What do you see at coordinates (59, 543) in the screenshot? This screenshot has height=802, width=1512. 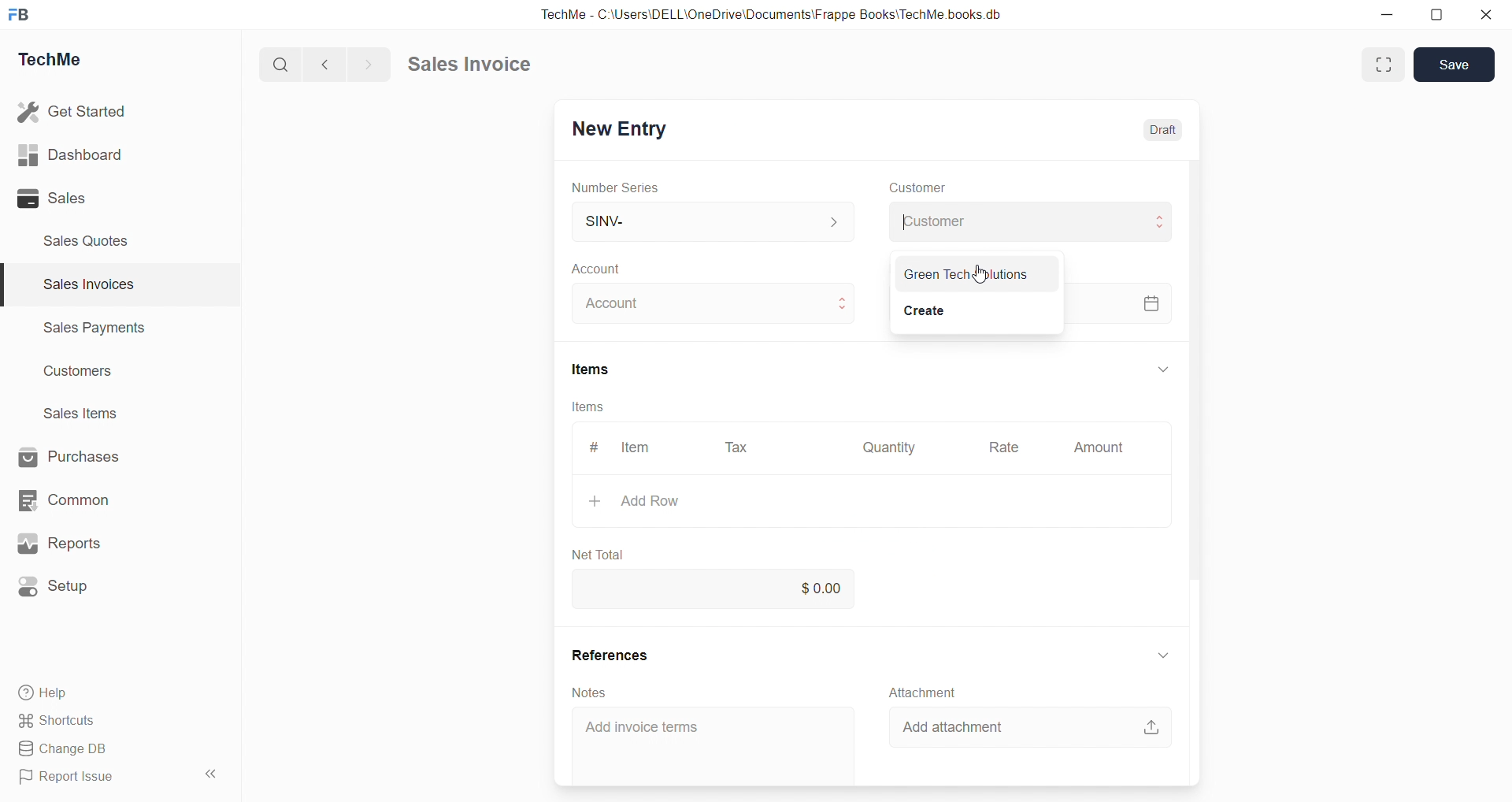 I see `Reports` at bounding box center [59, 543].